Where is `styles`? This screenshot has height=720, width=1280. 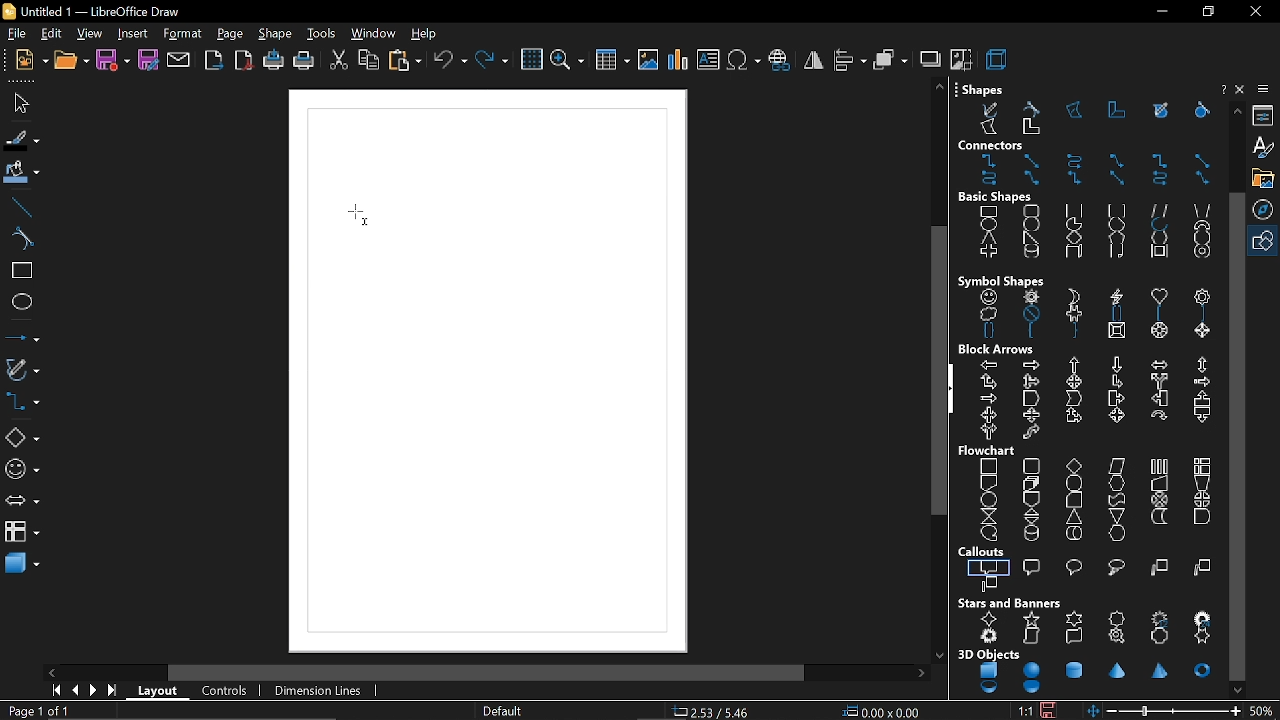 styles is located at coordinates (1265, 149).